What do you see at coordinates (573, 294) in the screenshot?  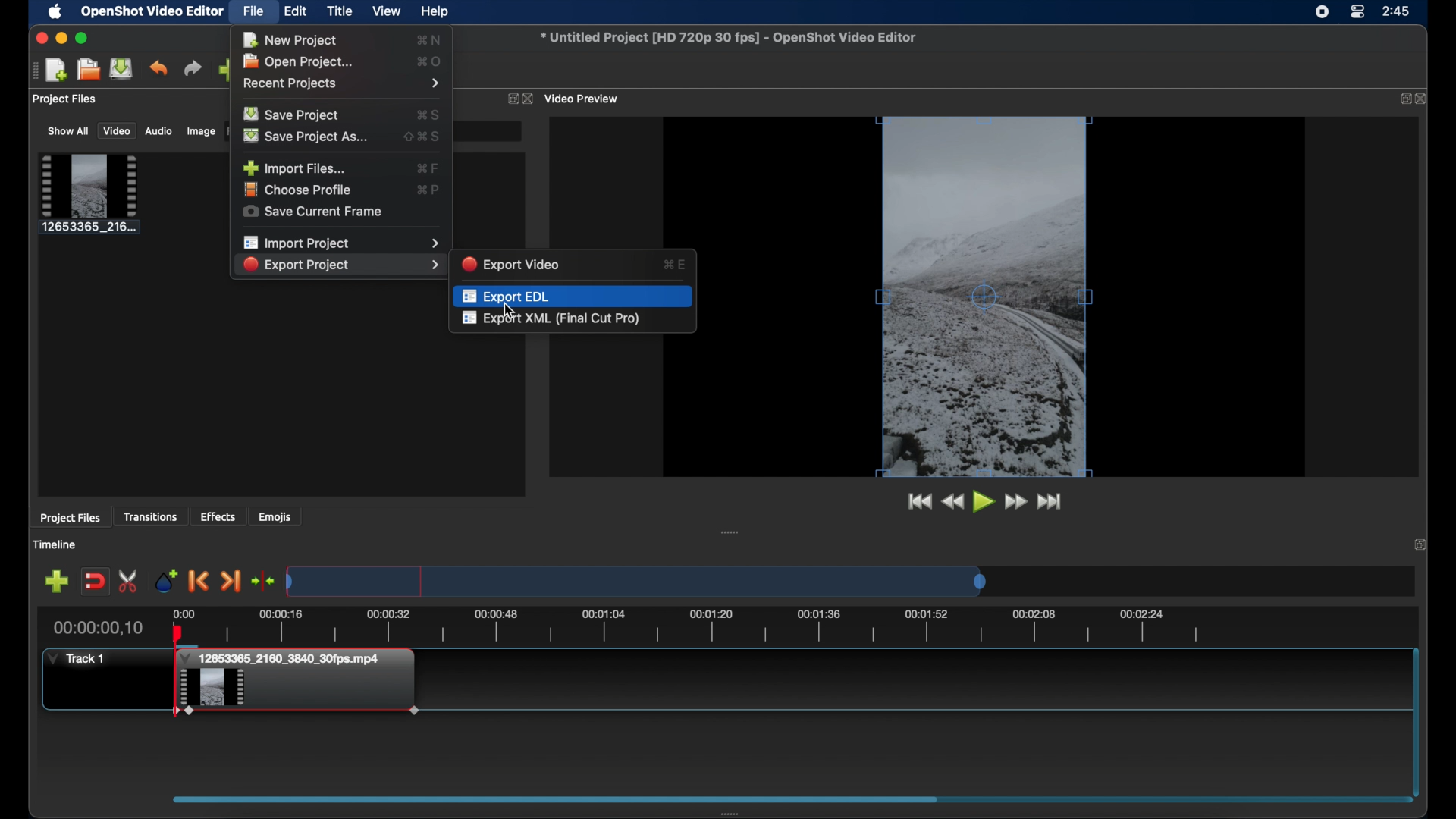 I see `export edl highlighted` at bounding box center [573, 294].